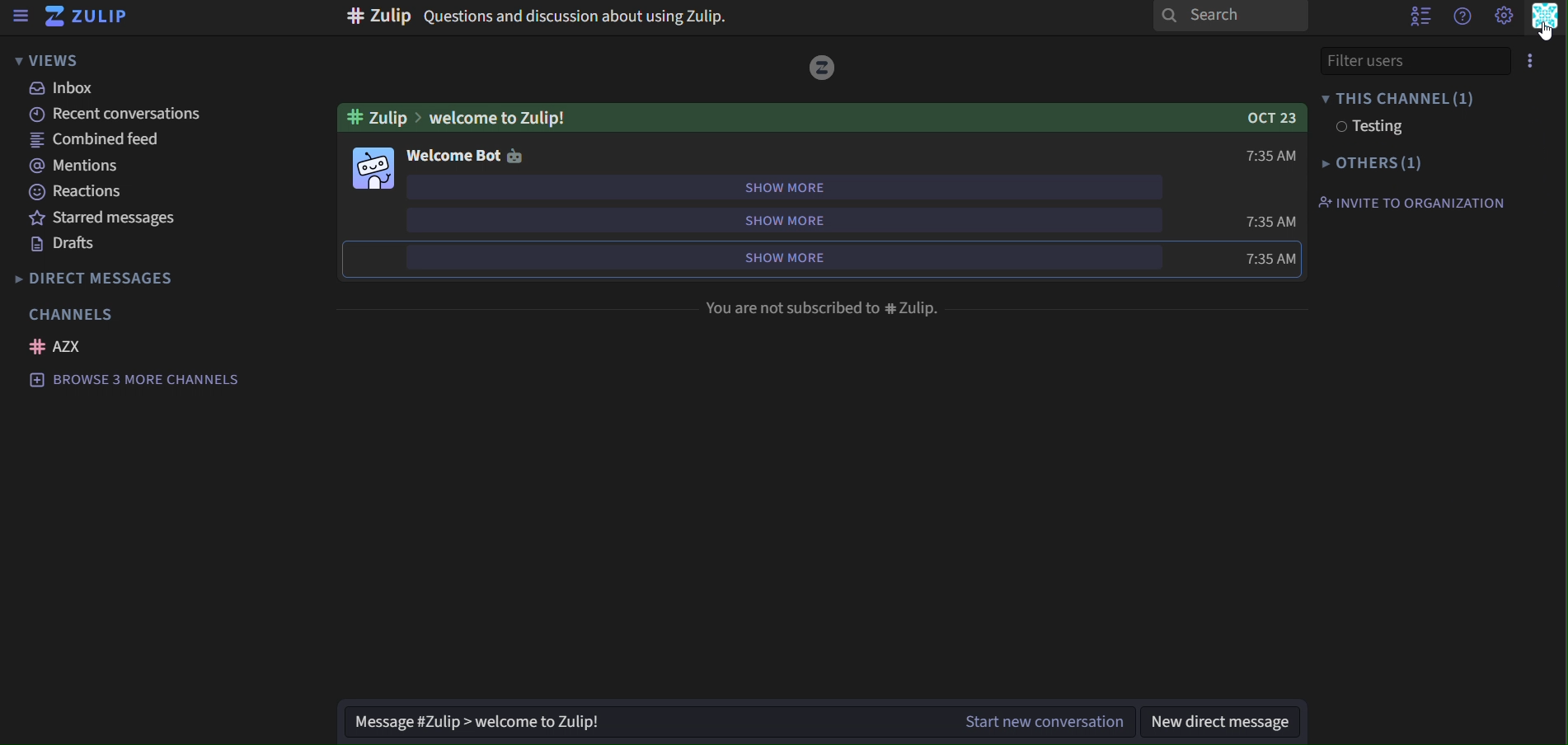  I want to click on Browse 3 more channels, so click(131, 379).